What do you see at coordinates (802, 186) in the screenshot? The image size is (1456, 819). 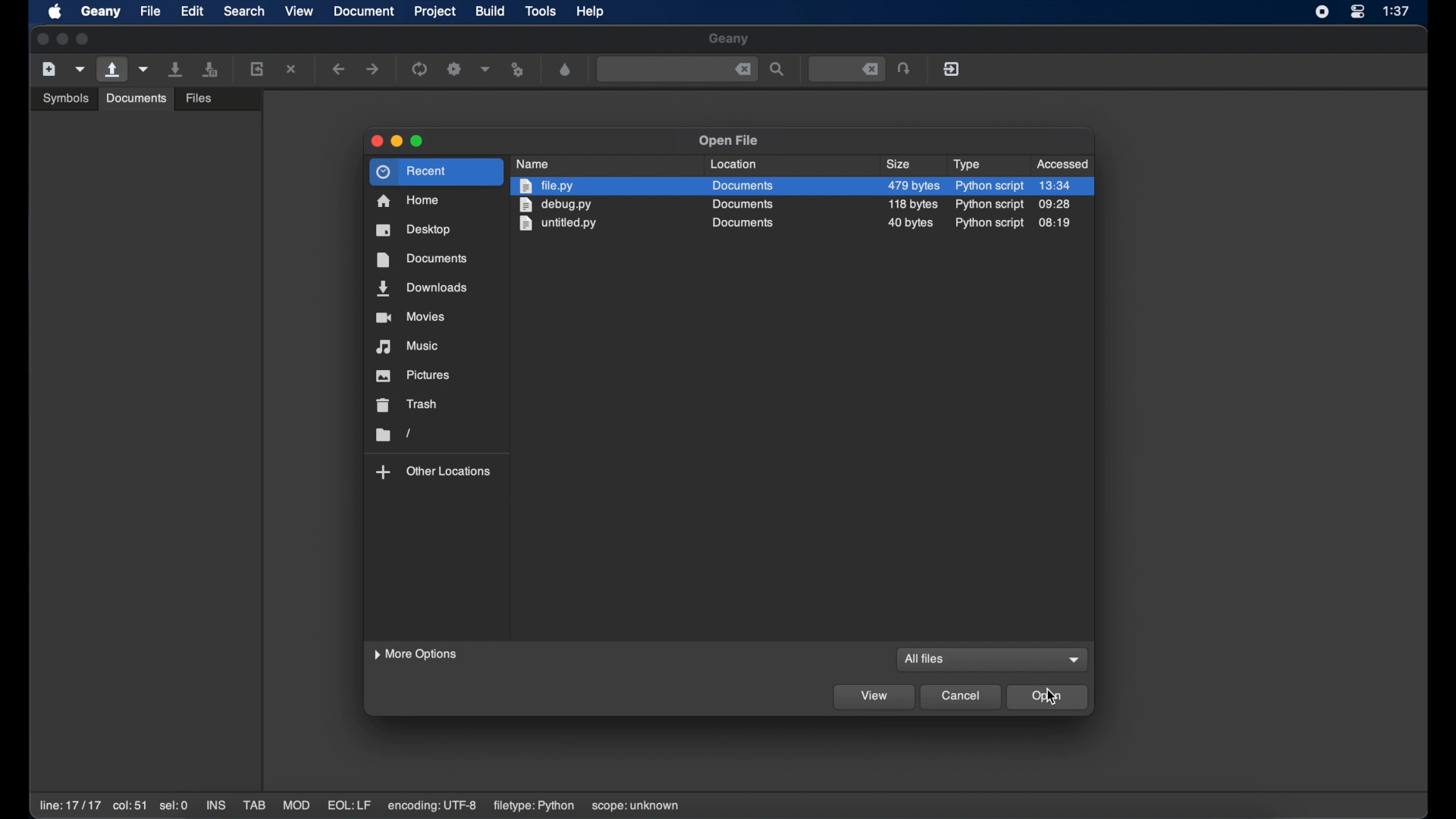 I see `file highlighted` at bounding box center [802, 186].